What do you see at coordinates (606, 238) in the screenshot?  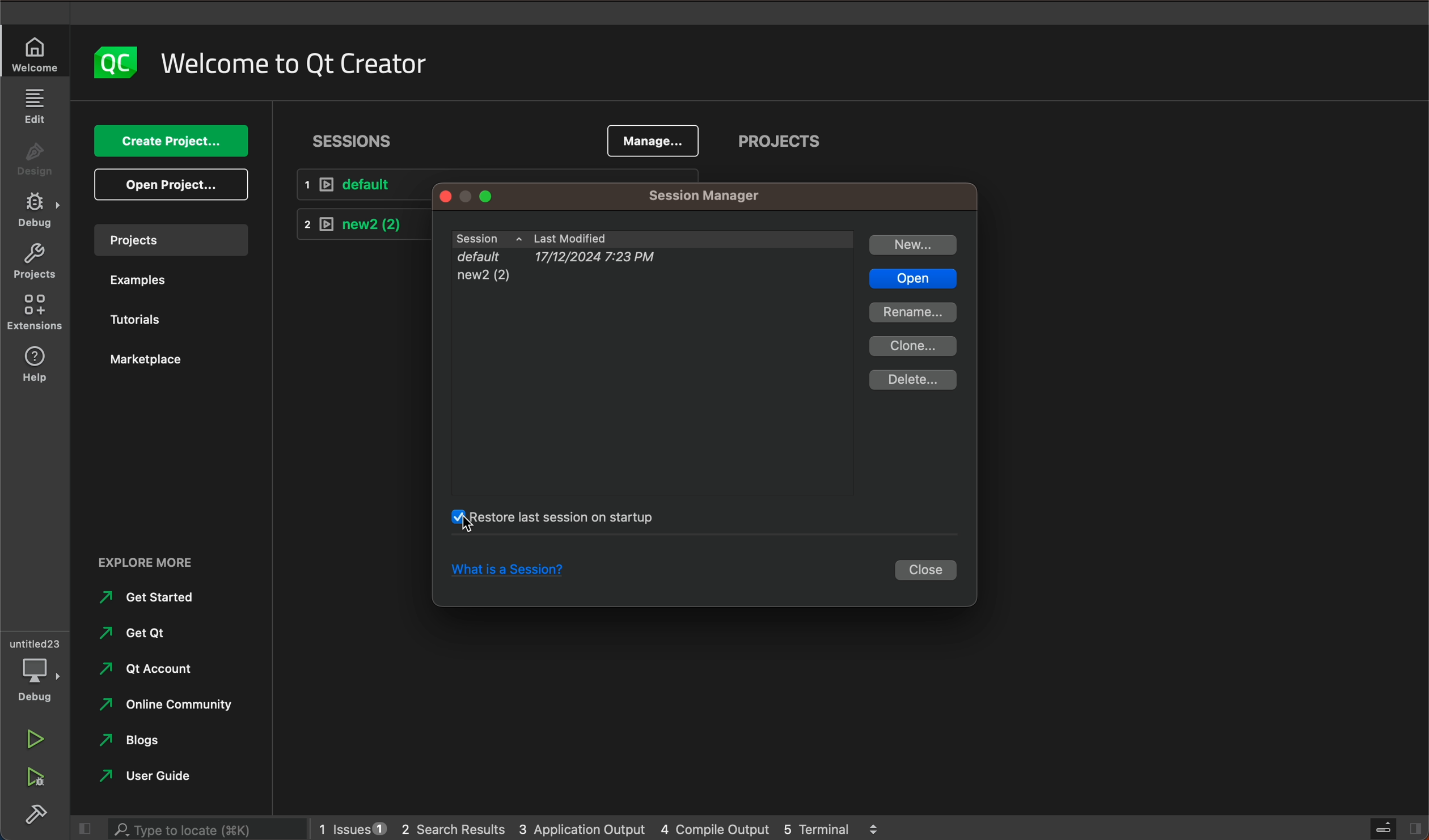 I see `sessions` at bounding box center [606, 238].